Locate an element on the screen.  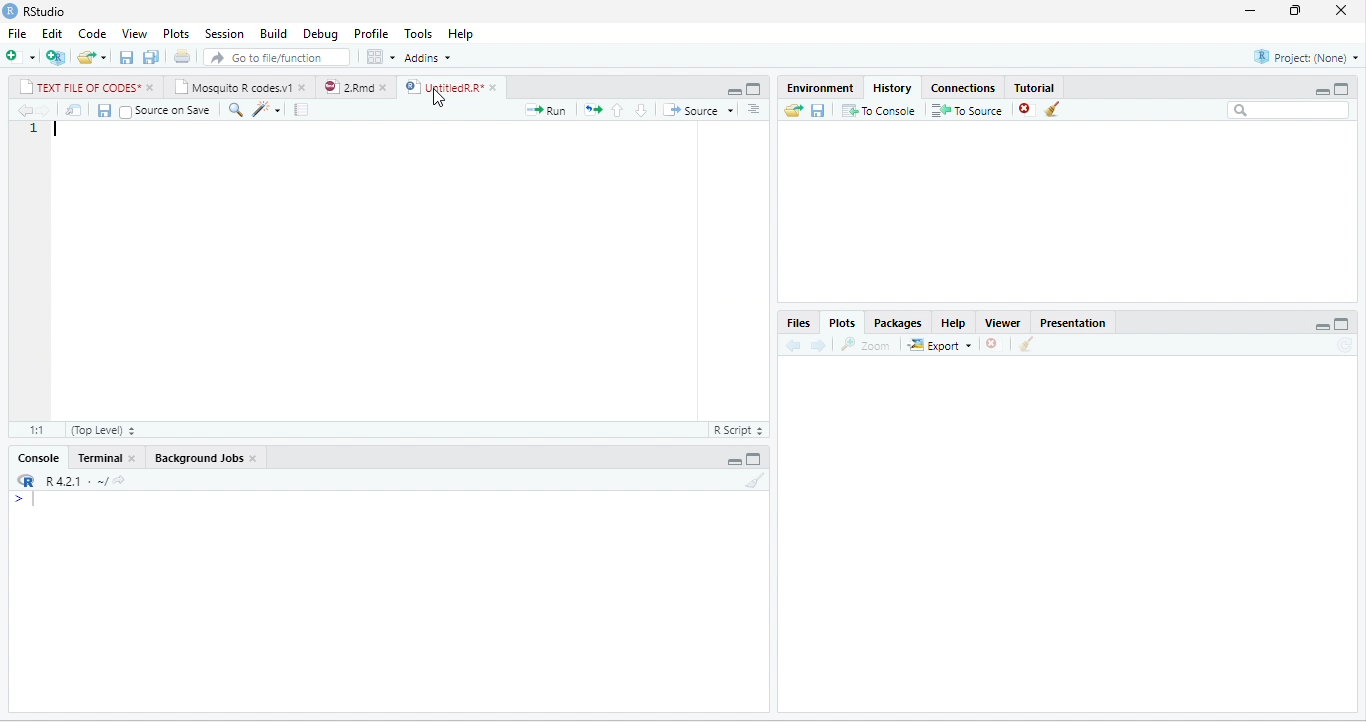
options is located at coordinates (381, 57).